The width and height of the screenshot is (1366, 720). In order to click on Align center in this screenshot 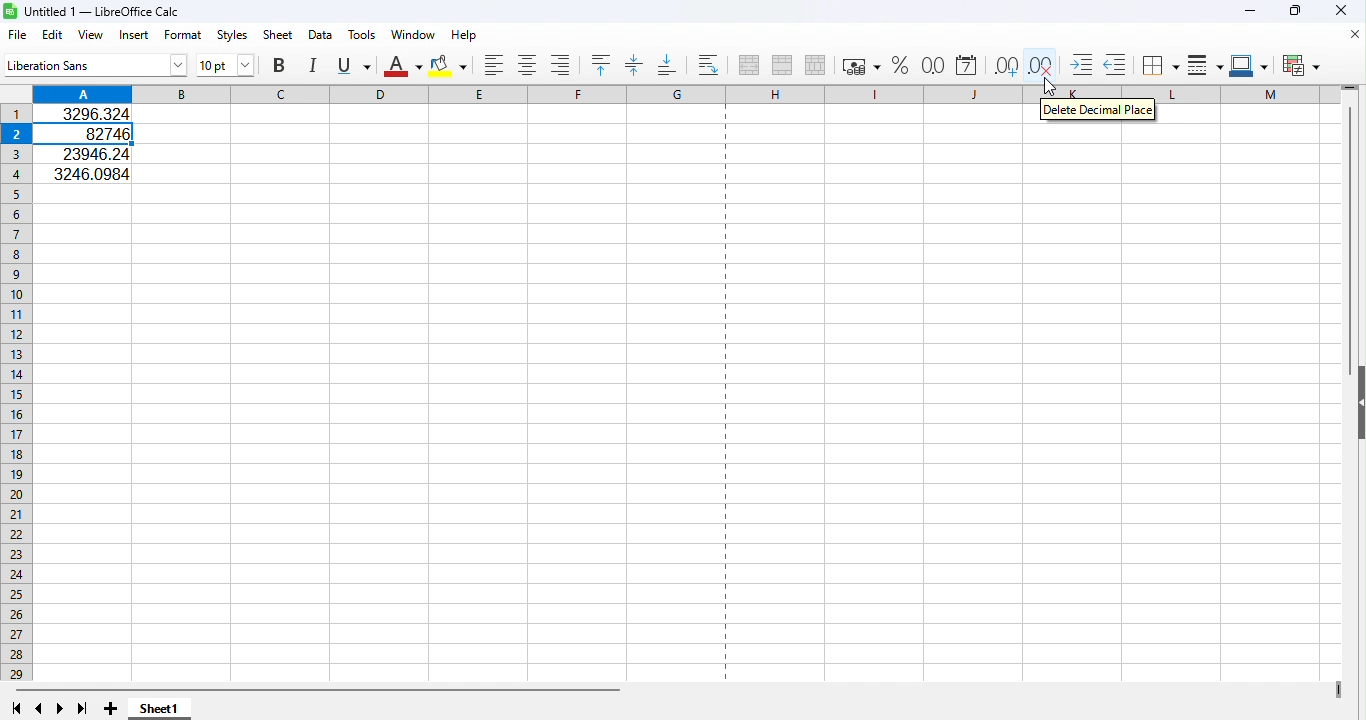, I will do `click(530, 66)`.